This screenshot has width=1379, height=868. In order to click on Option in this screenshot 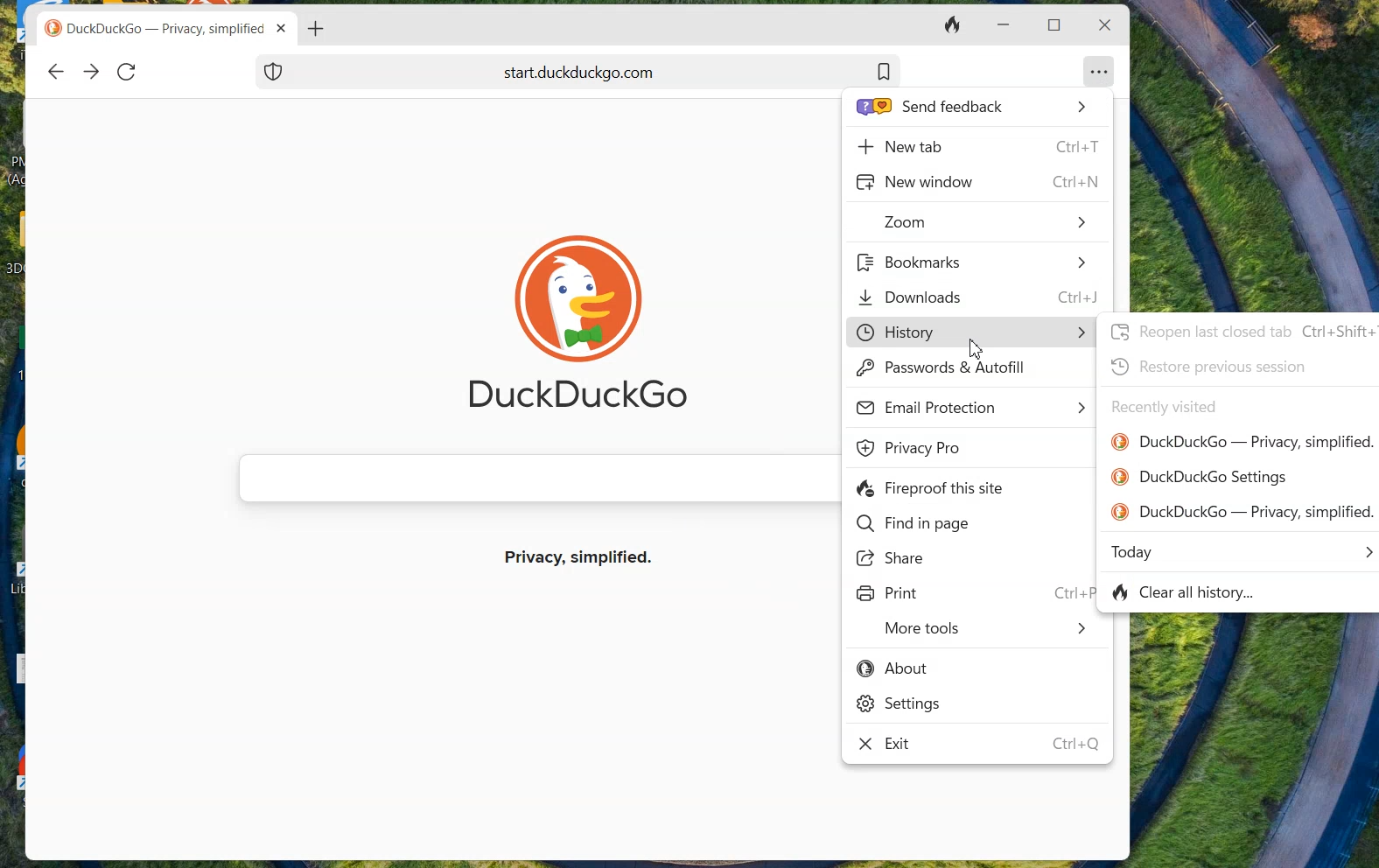, I will do `click(1100, 66)`.